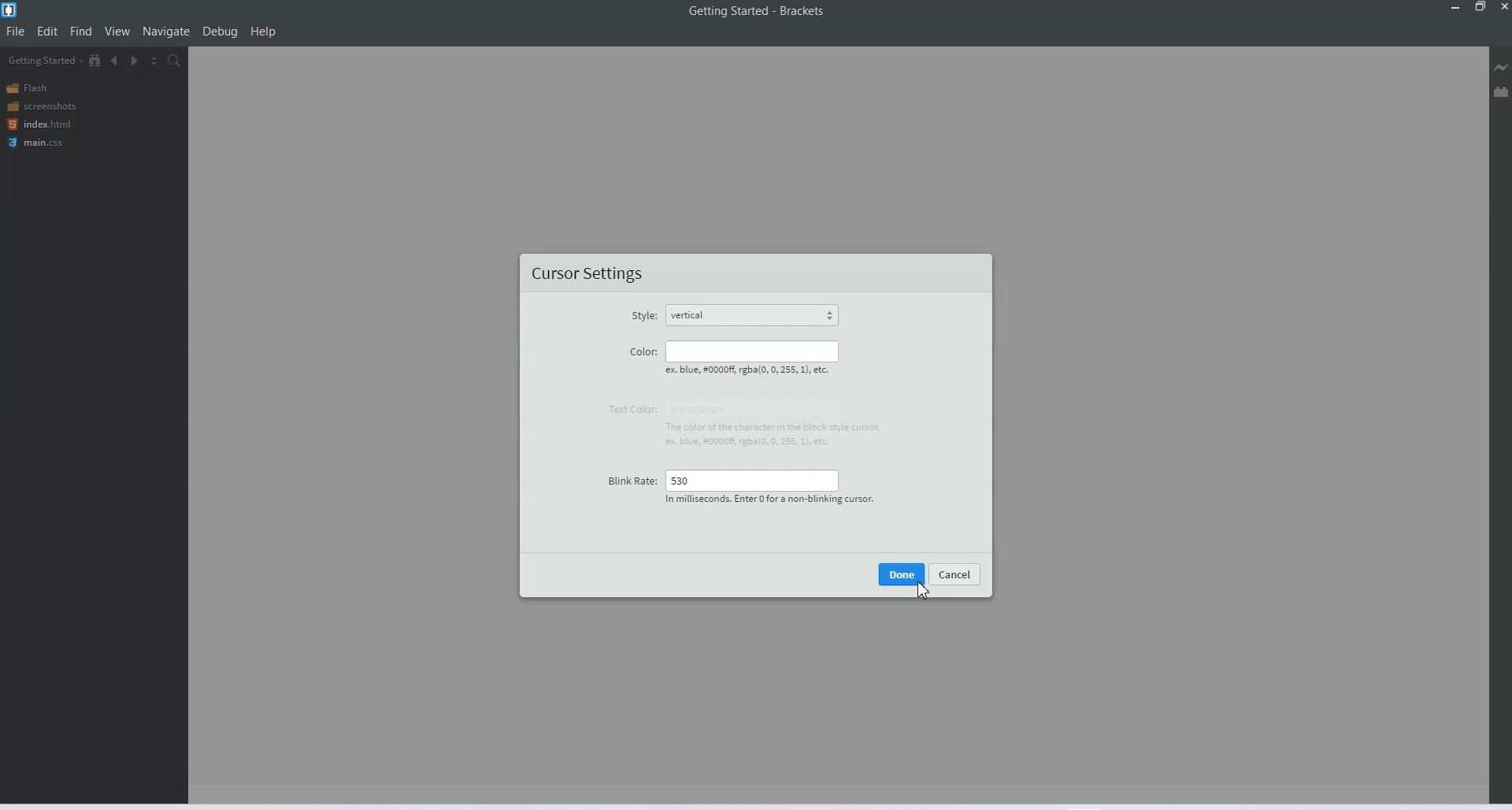 The width and height of the screenshot is (1512, 810). Describe the element at coordinates (751, 479) in the screenshot. I see `530` at that location.